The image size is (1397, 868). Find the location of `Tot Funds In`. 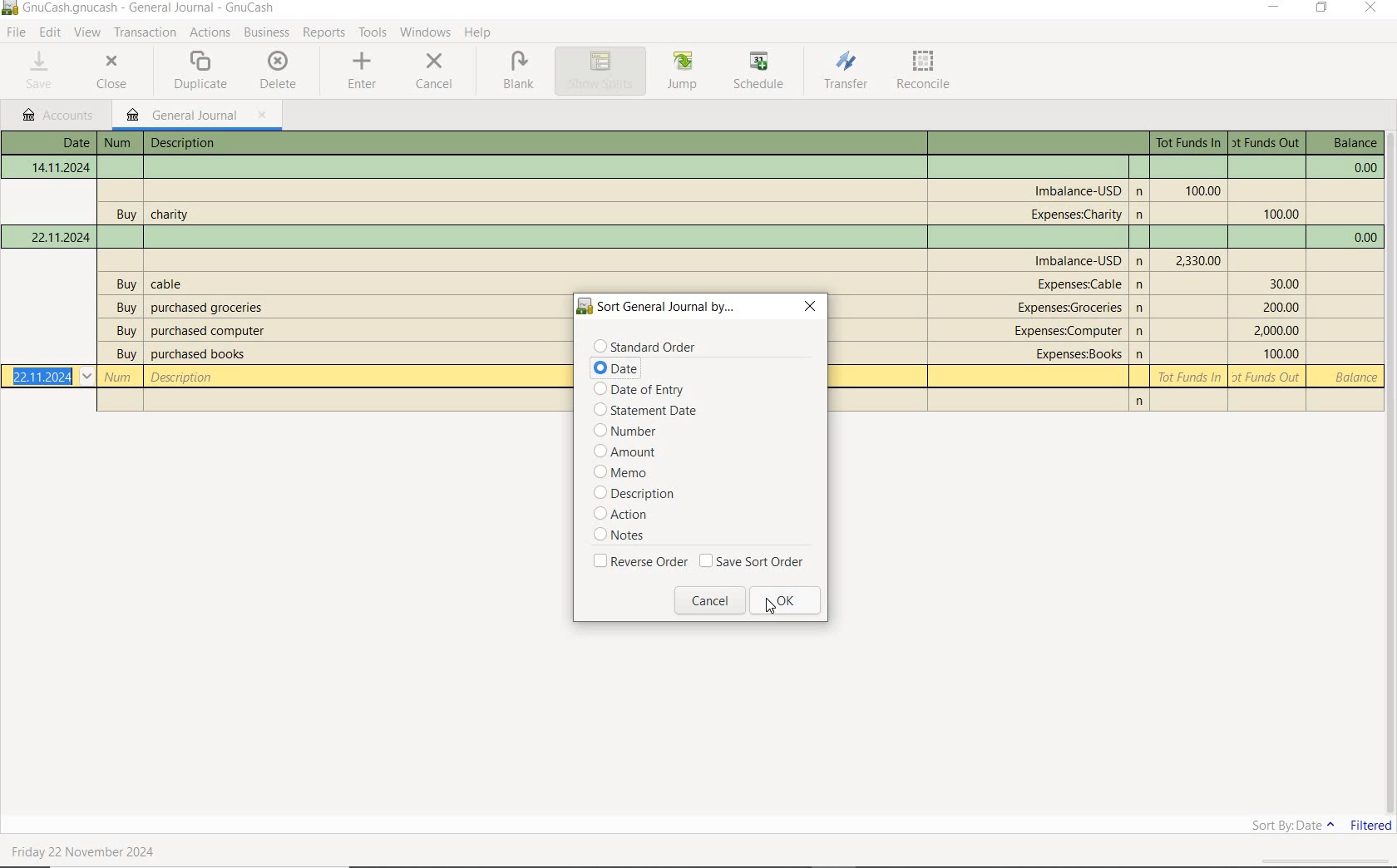

Tot Funds In is located at coordinates (1190, 143).